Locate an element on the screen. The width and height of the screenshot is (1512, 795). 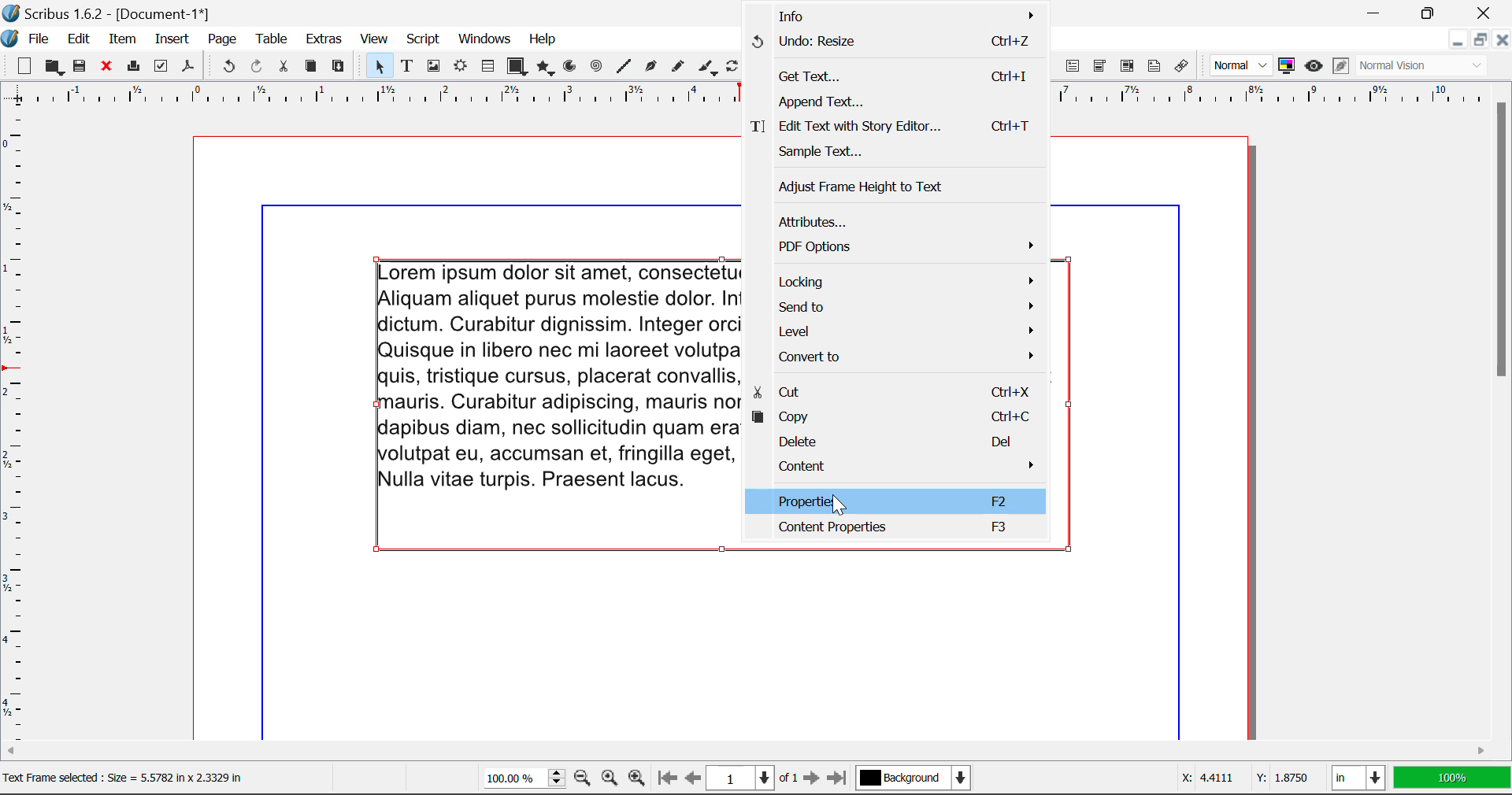
File is located at coordinates (42, 39).